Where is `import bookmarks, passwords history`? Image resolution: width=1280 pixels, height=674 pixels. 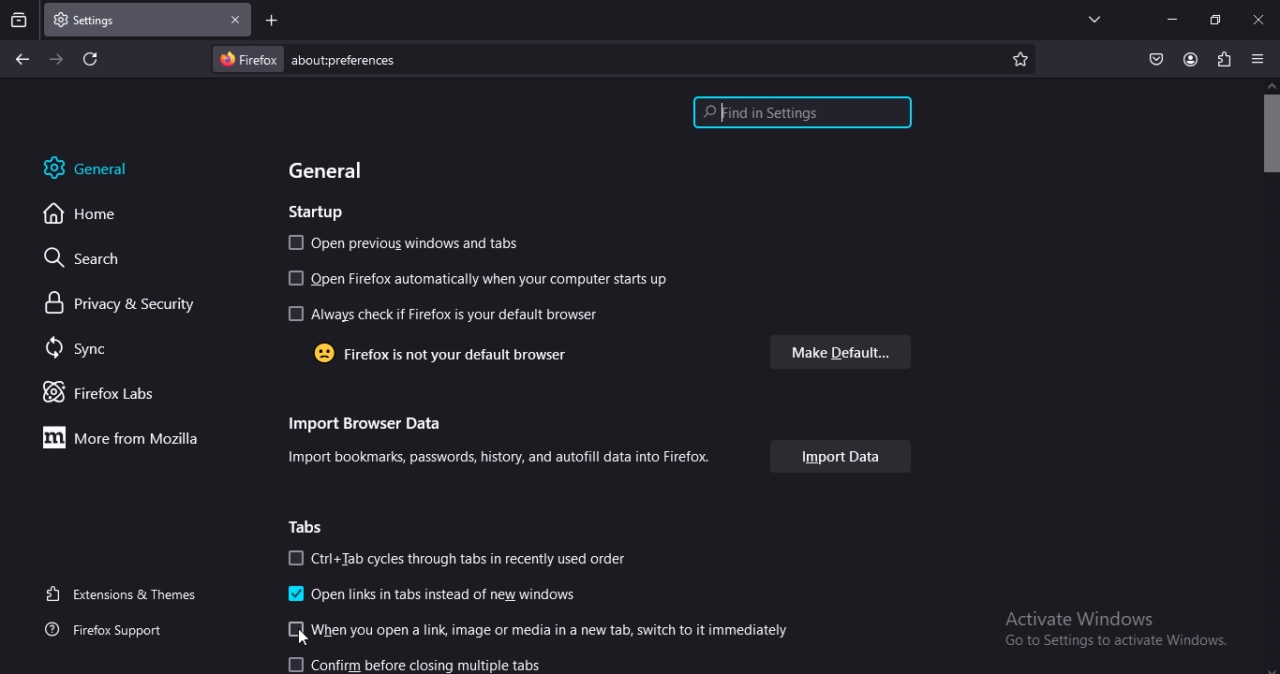 import bookmarks, passwords history is located at coordinates (518, 455).